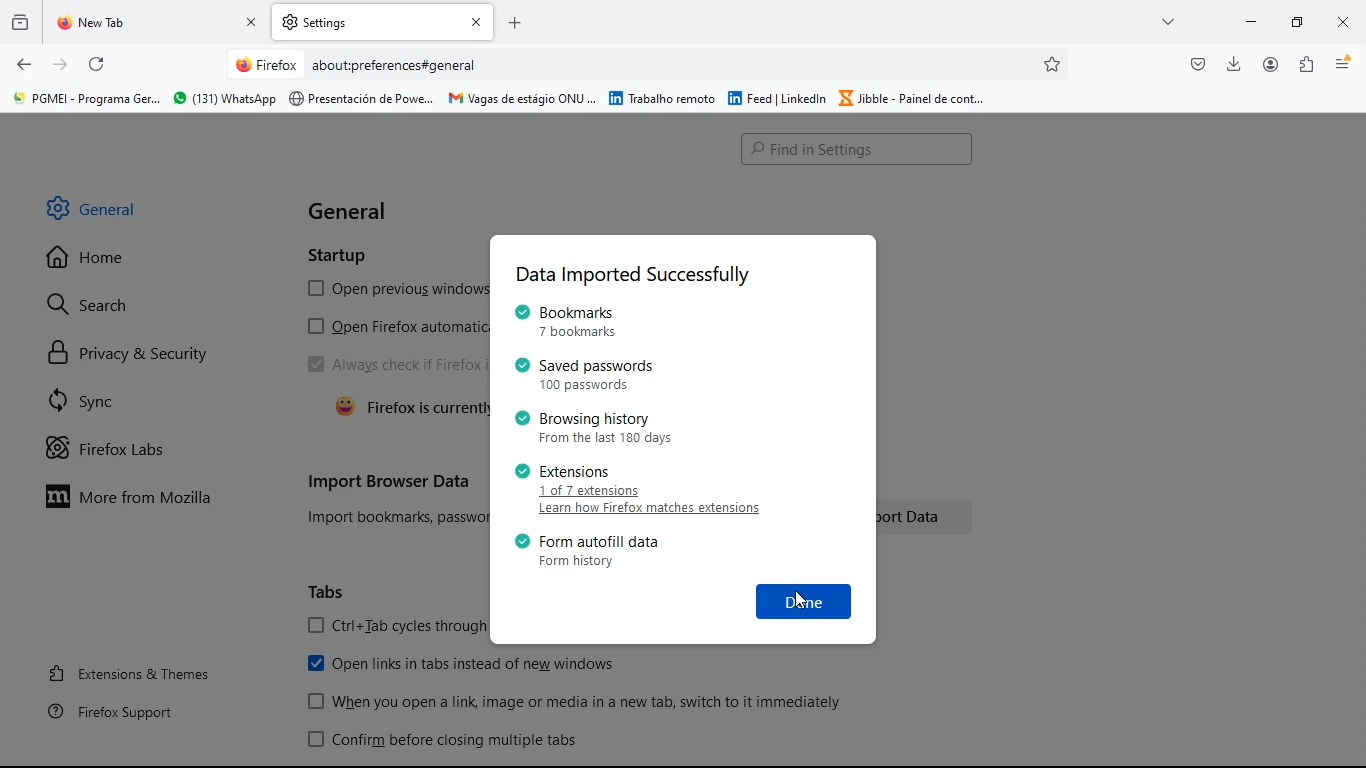 This screenshot has width=1366, height=768. Describe the element at coordinates (515, 23) in the screenshot. I see `Add new tab` at that location.